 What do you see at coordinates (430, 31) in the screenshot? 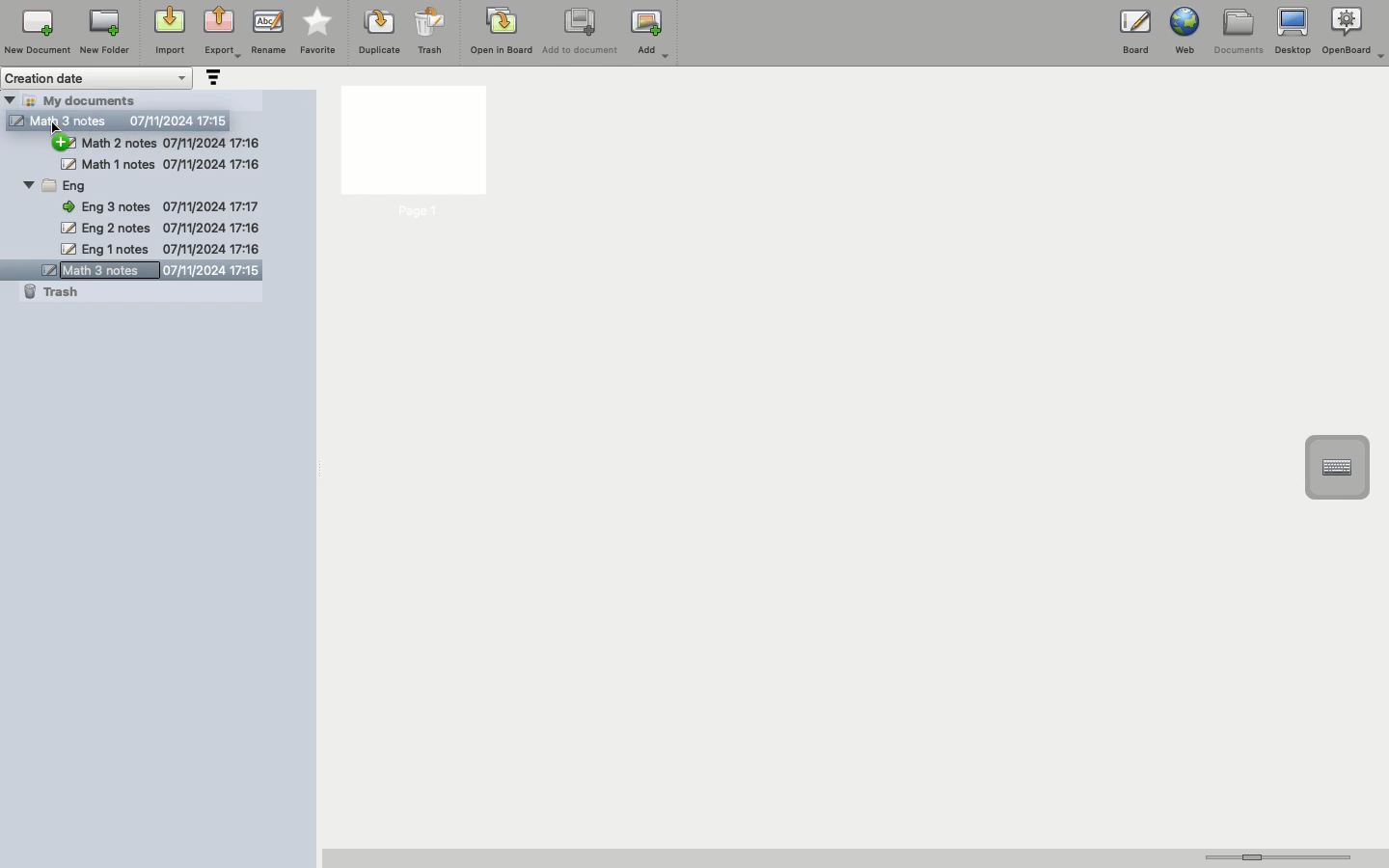
I see `Trash` at bounding box center [430, 31].